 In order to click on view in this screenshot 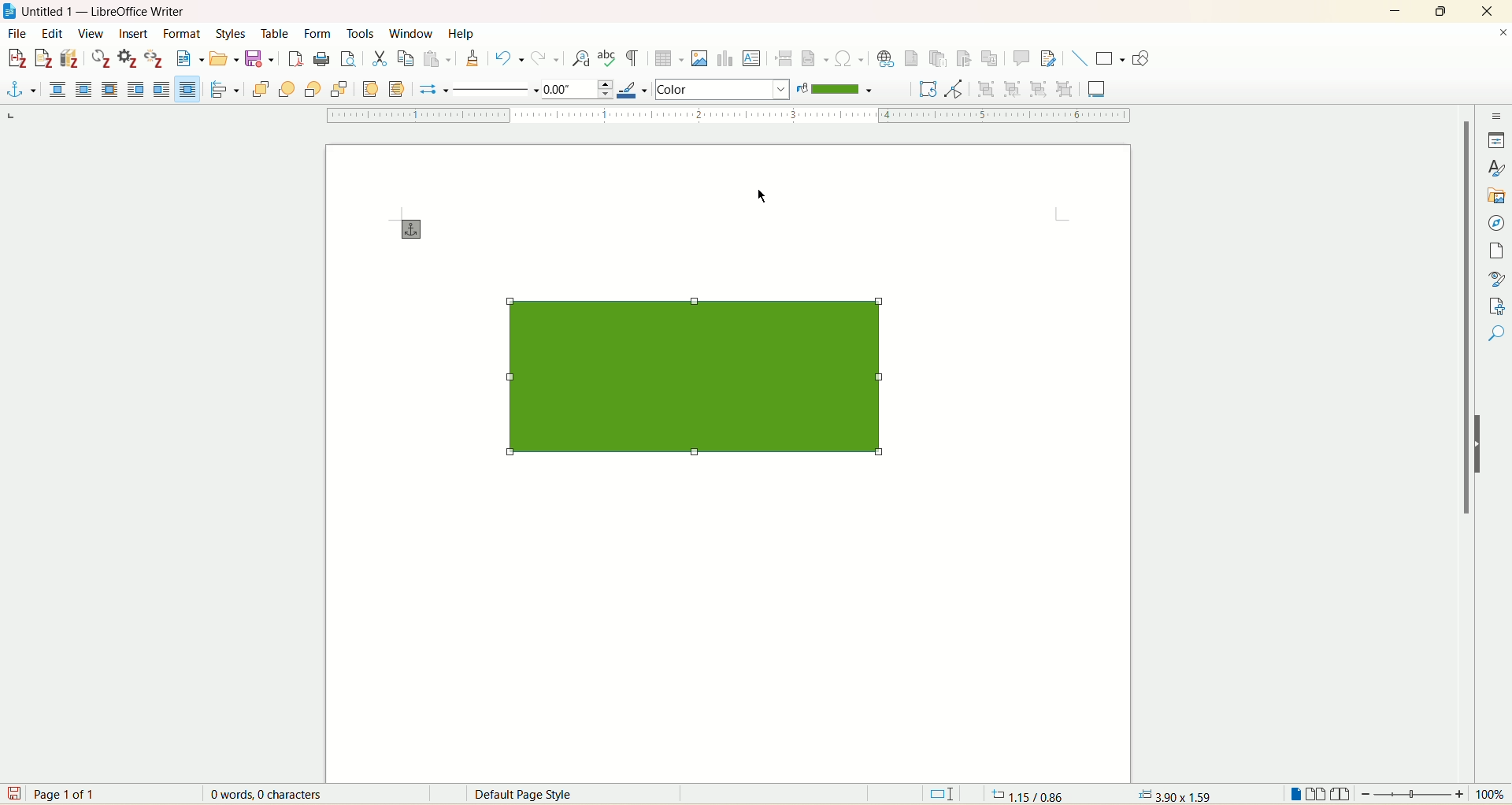, I will do `click(91, 33)`.